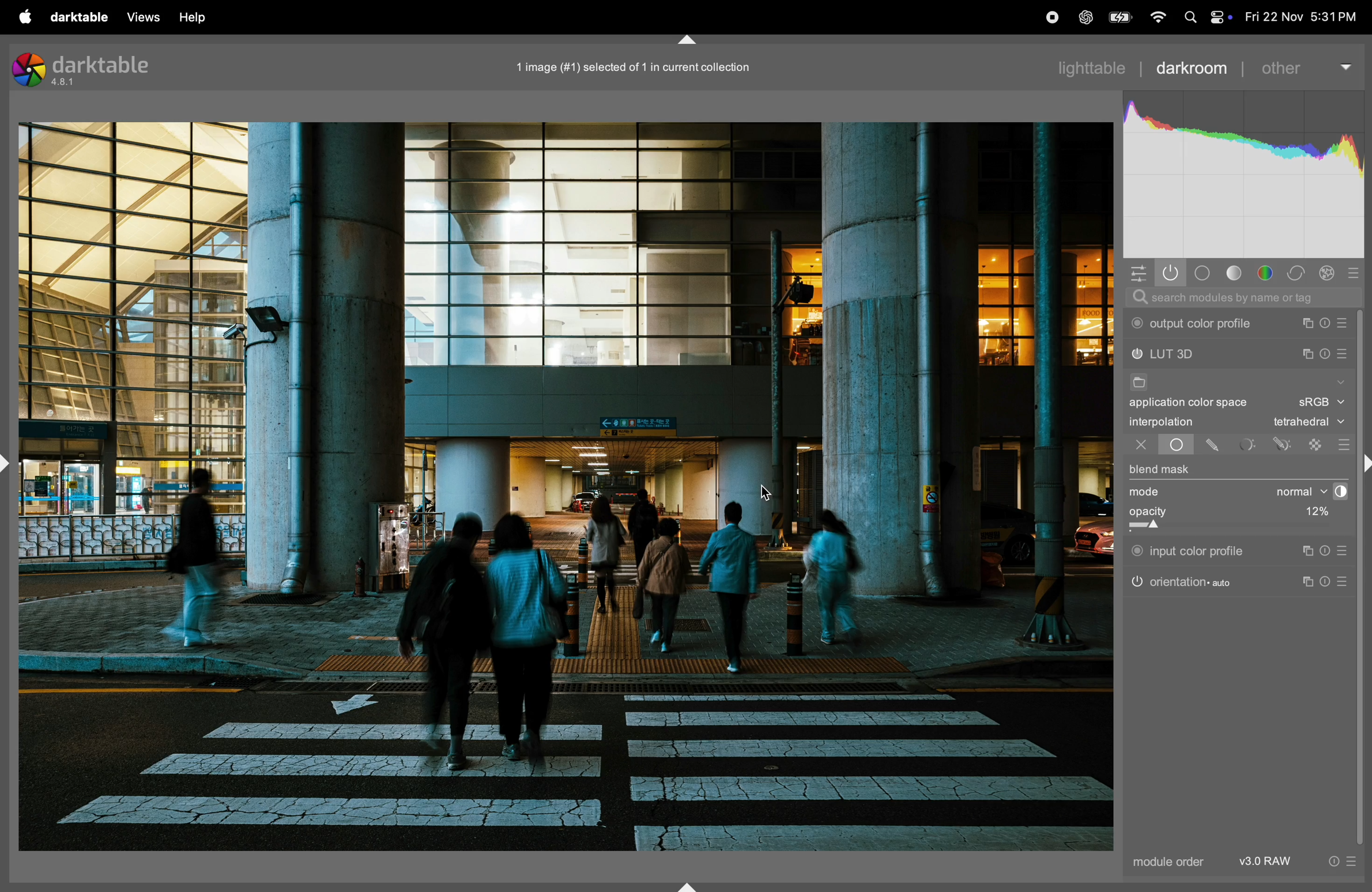  What do you see at coordinates (1189, 549) in the screenshot?
I see `input color profile` at bounding box center [1189, 549].